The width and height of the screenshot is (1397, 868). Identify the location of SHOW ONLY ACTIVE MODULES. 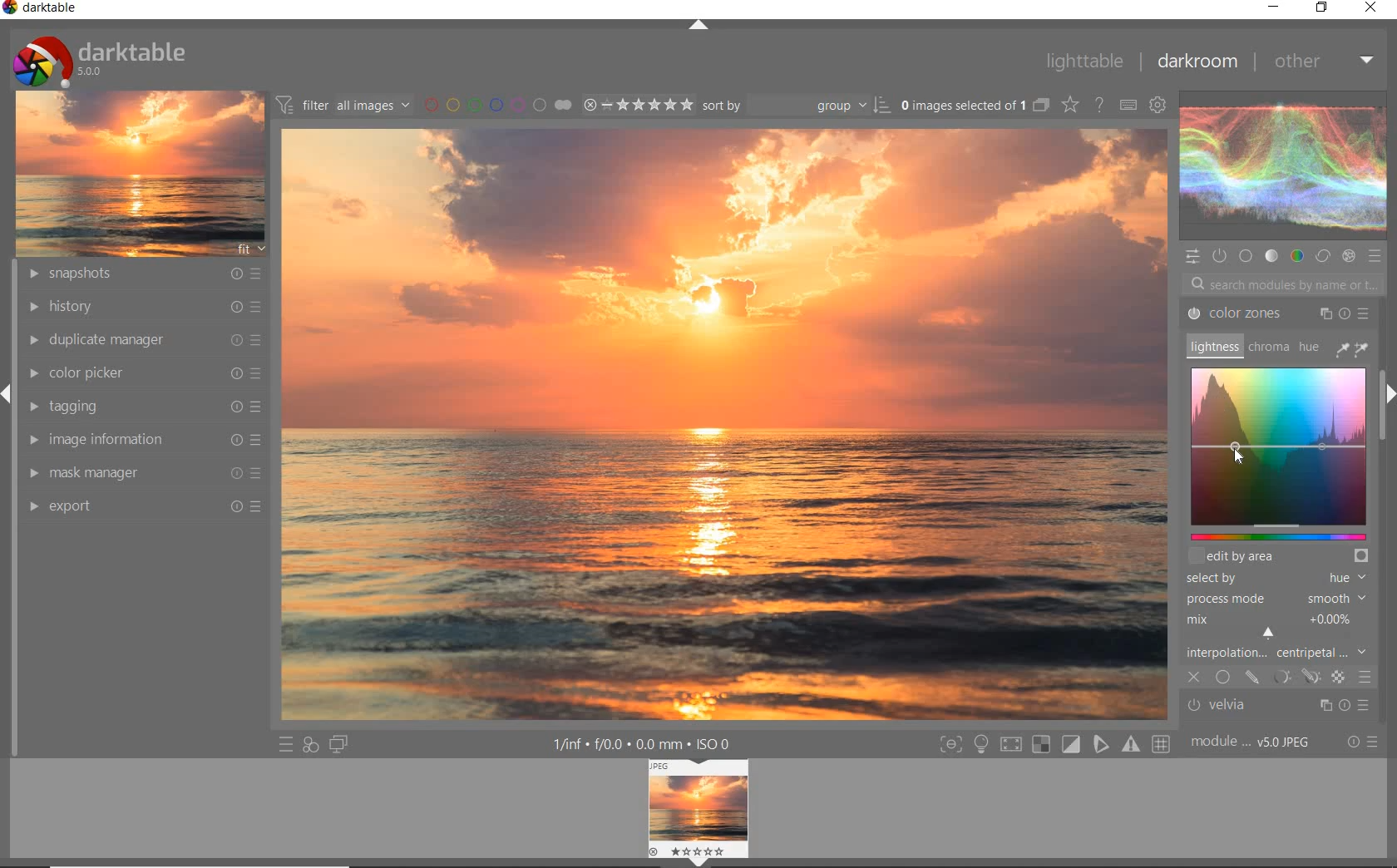
(1219, 255).